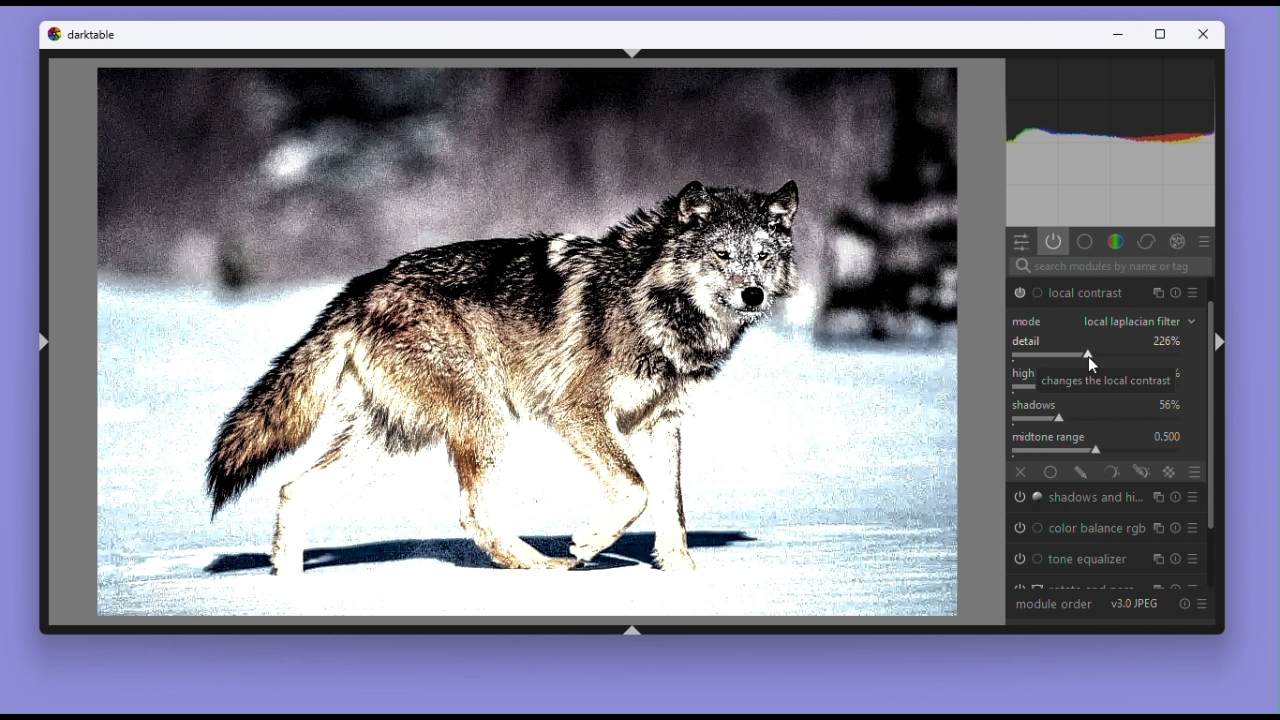 The image size is (1280, 720). What do you see at coordinates (42, 346) in the screenshot?
I see `shift+ctrl+l` at bounding box center [42, 346].